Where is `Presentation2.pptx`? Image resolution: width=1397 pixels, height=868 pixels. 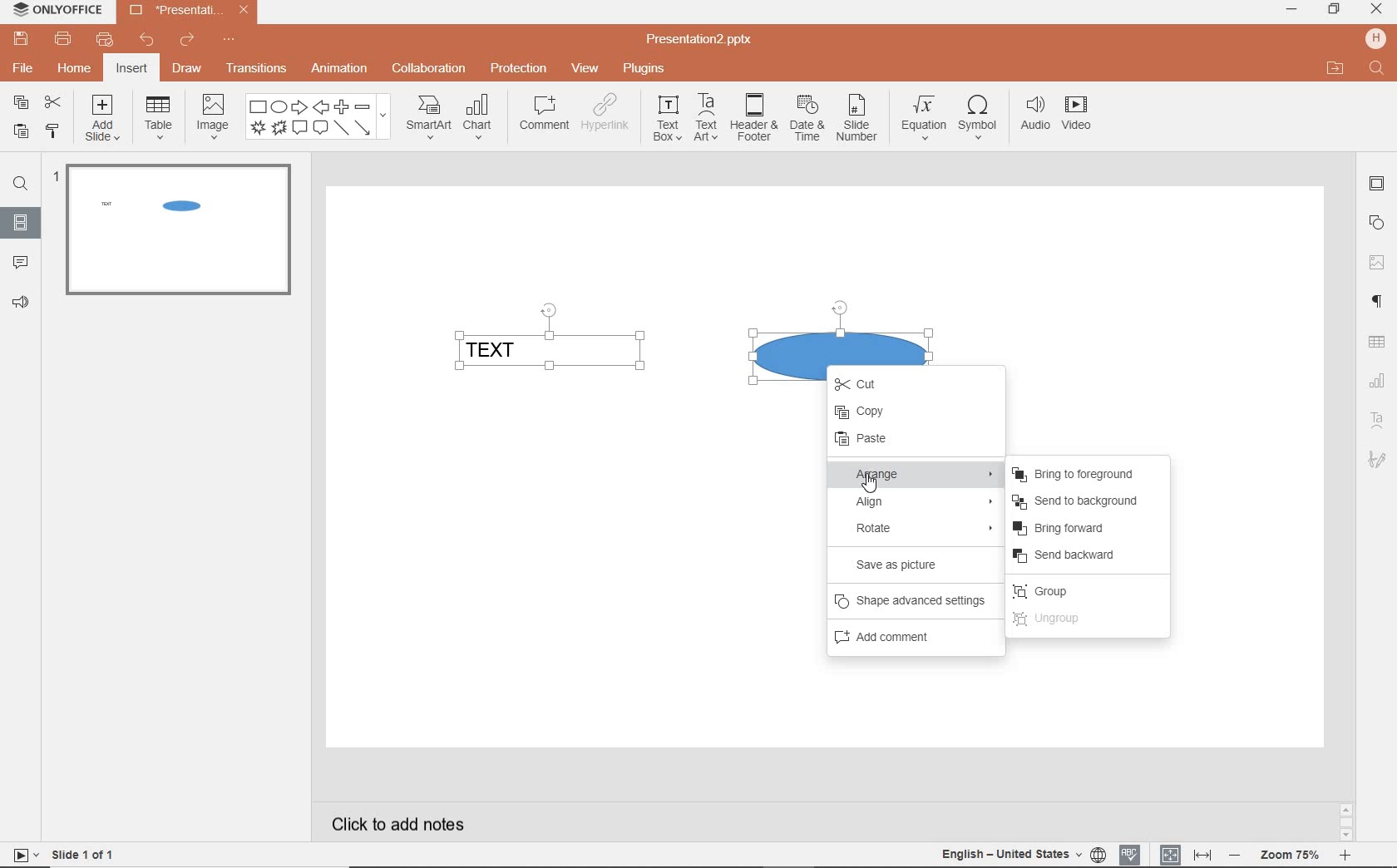
Presentation2.pptx is located at coordinates (187, 12).